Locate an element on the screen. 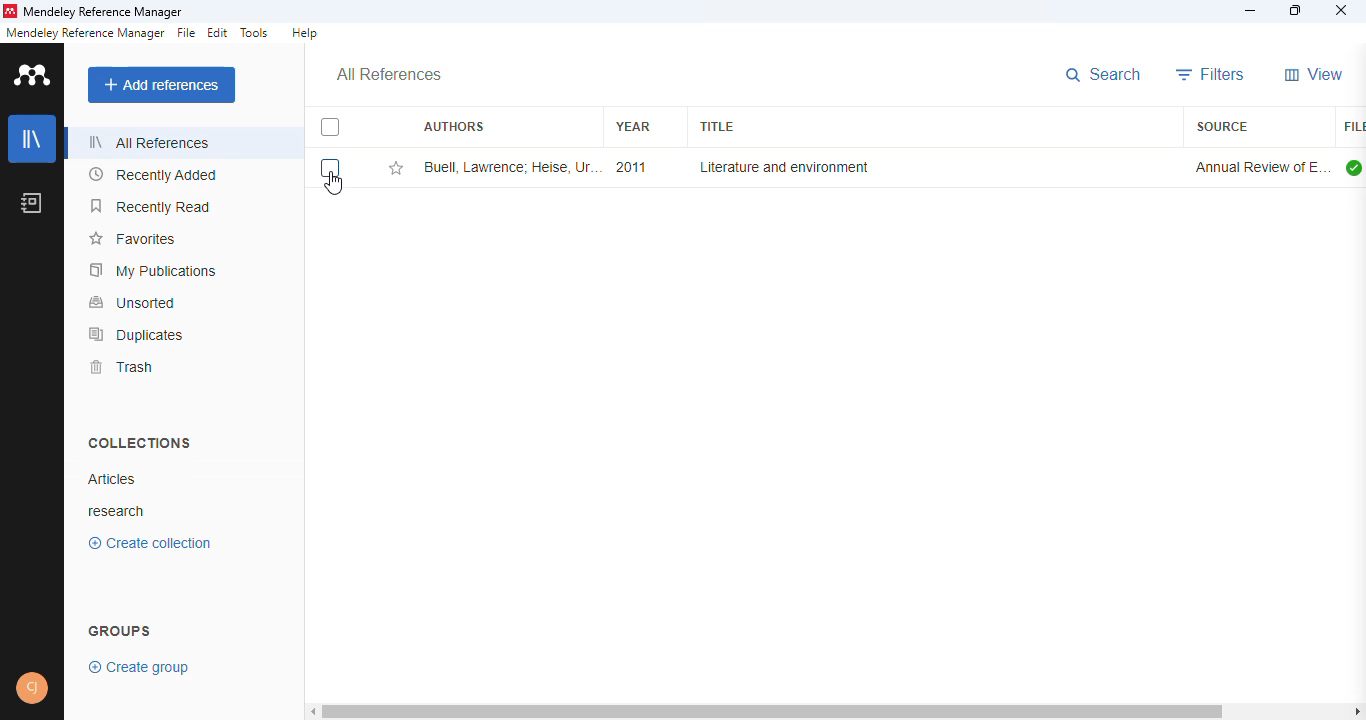 The image size is (1366, 720). all files downloaded is located at coordinates (1354, 167).